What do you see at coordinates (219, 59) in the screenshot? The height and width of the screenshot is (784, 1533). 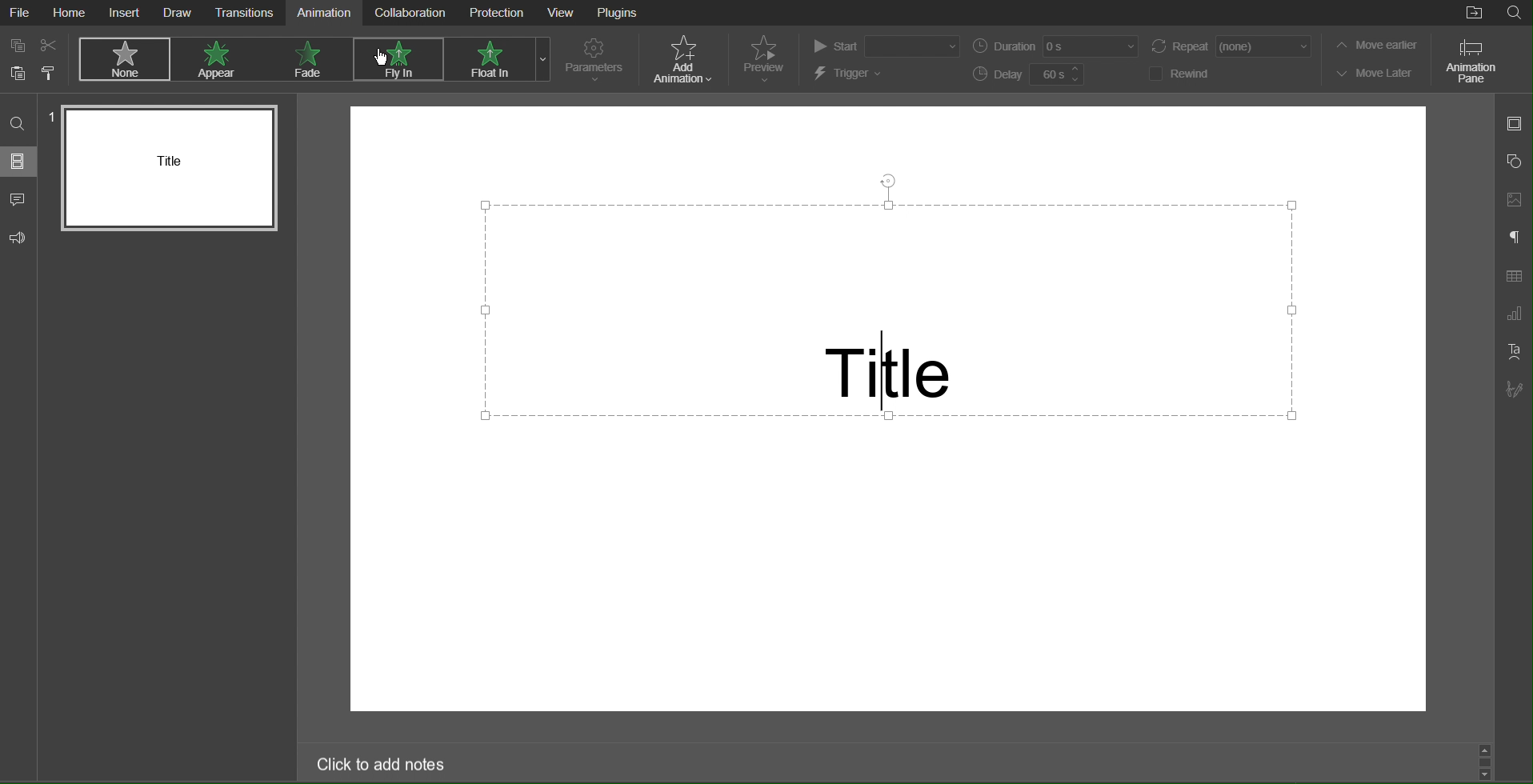 I see `Appear` at bounding box center [219, 59].